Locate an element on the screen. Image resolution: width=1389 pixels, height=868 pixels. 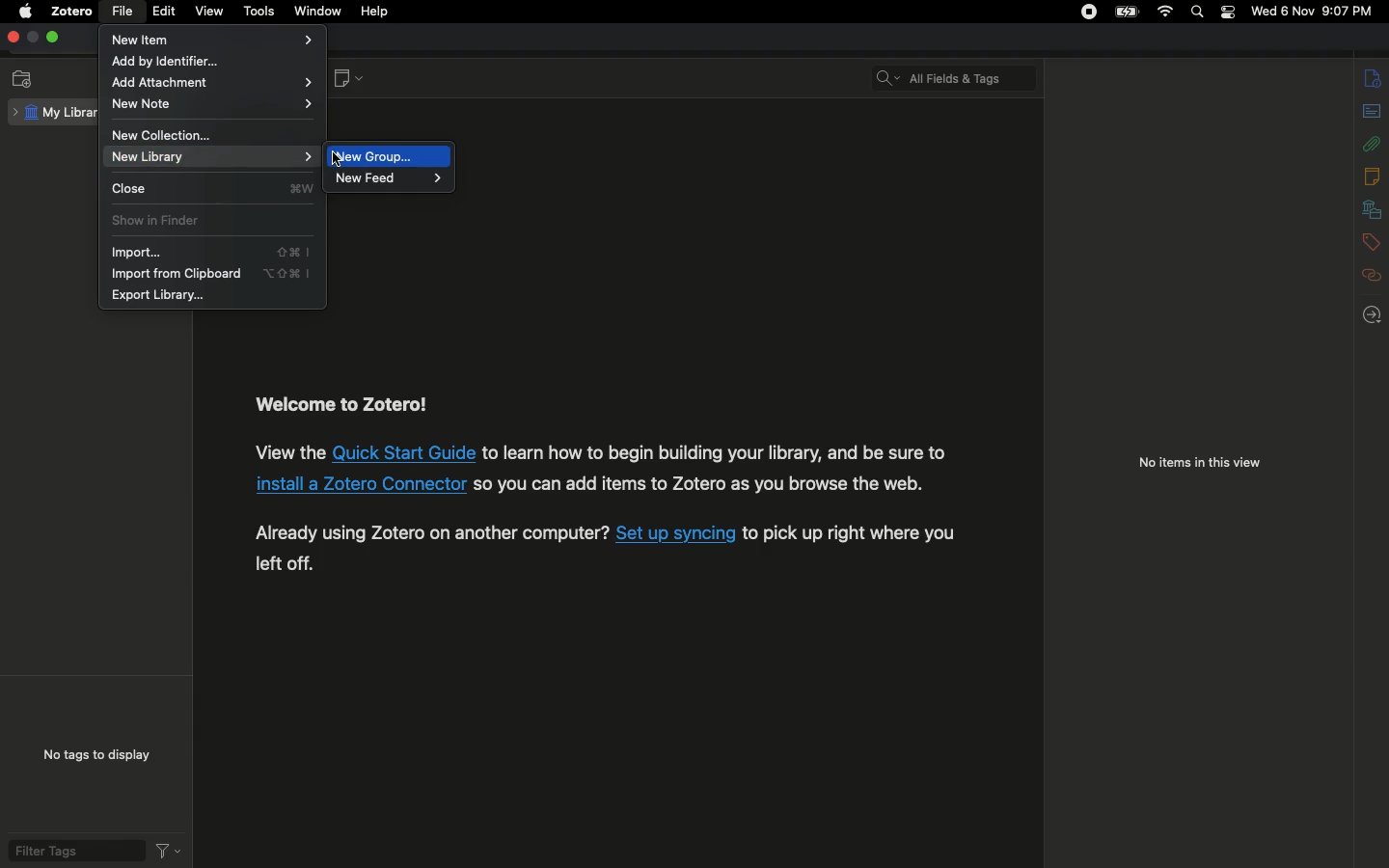
No tags to display is located at coordinates (92, 754).